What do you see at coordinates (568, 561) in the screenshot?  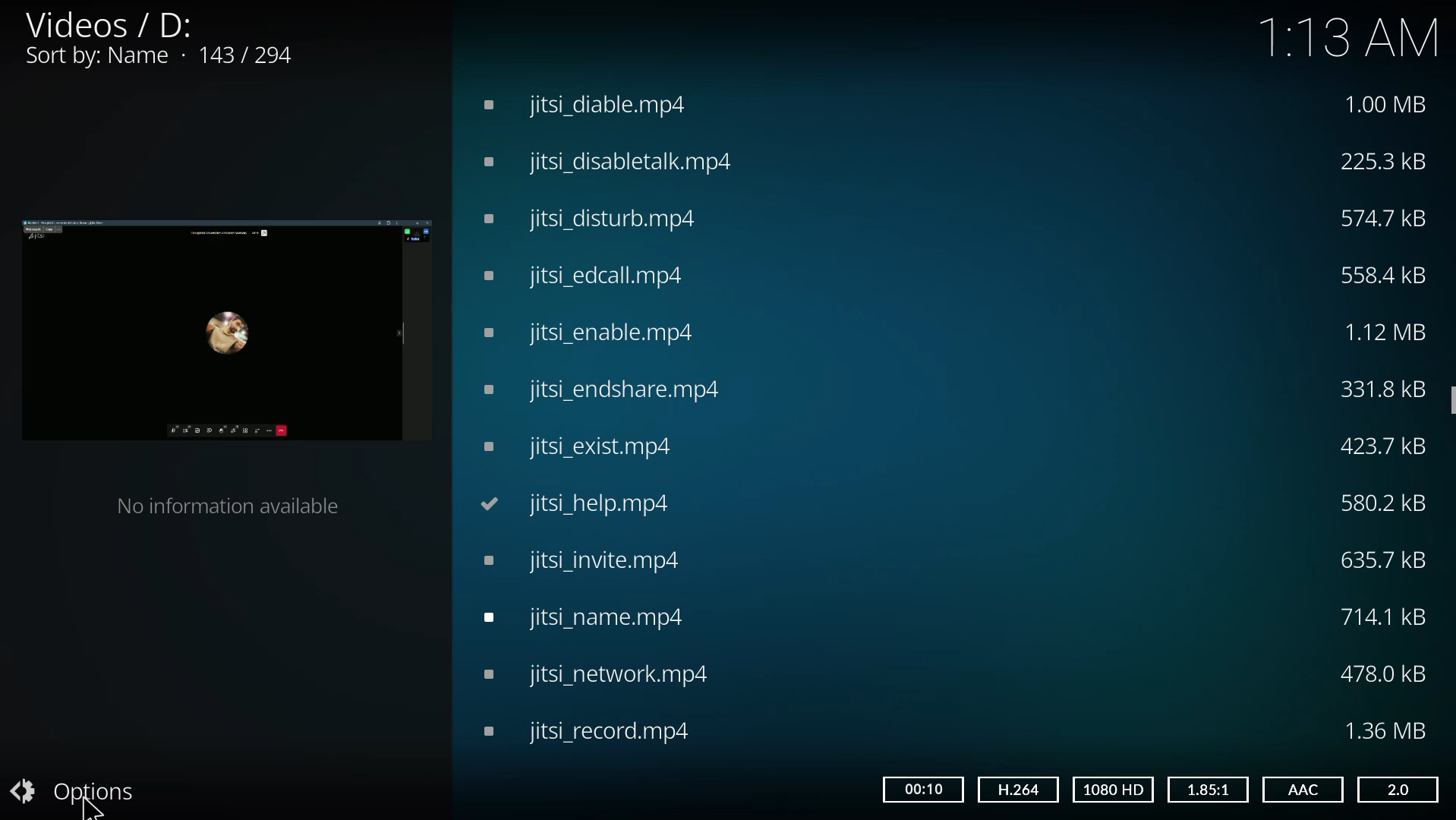 I see `video` at bounding box center [568, 561].